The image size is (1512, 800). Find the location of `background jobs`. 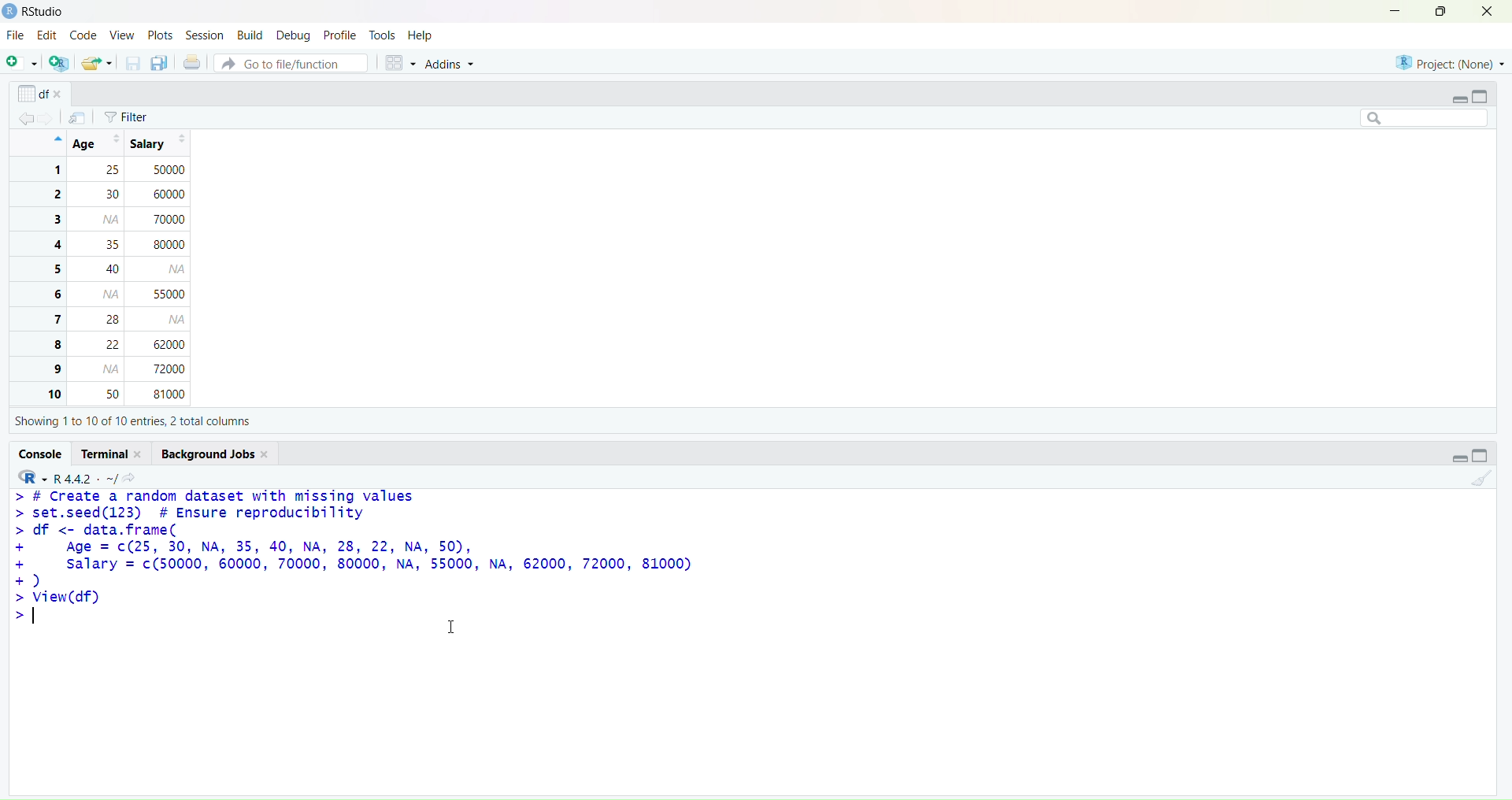

background jobs is located at coordinates (219, 453).